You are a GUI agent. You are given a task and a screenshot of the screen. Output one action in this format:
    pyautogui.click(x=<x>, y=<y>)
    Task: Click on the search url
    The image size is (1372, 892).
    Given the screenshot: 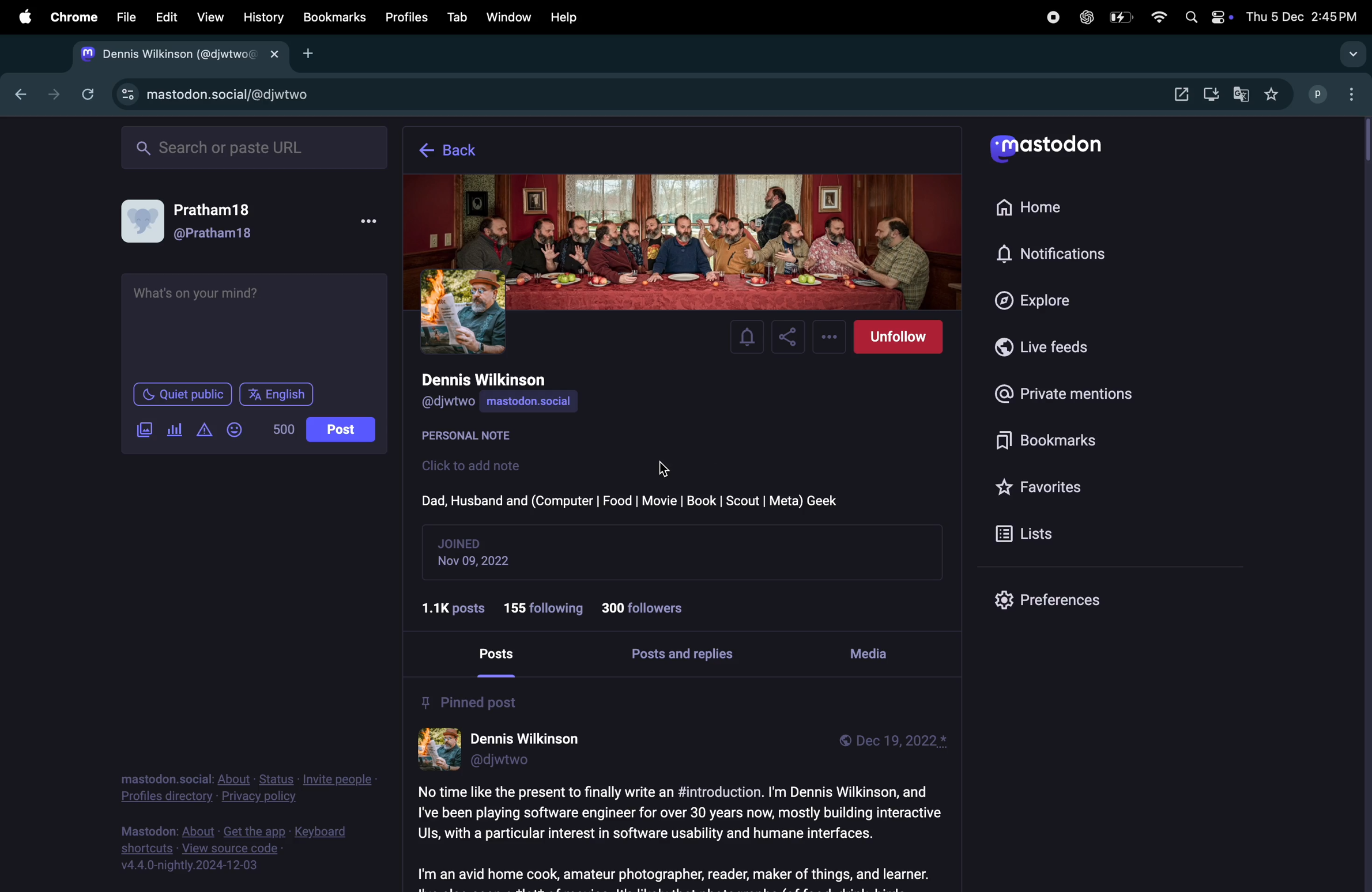 What is the action you would take?
    pyautogui.click(x=250, y=149)
    